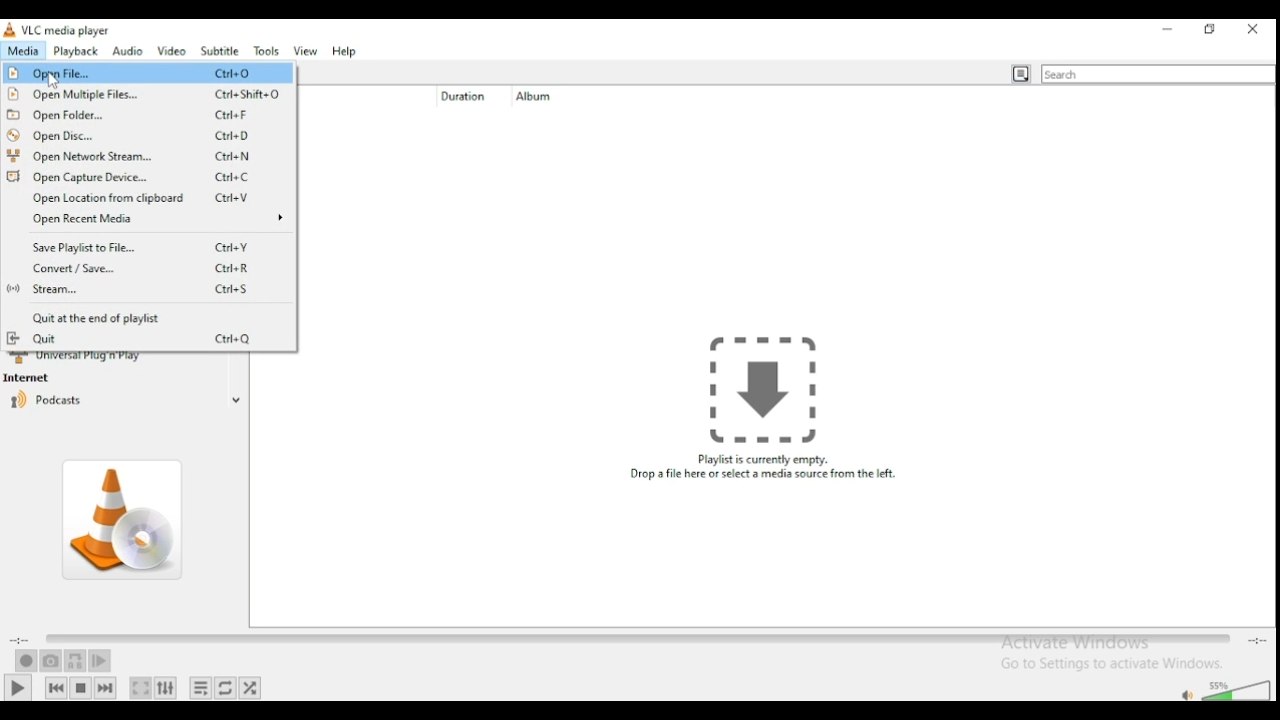  Describe the element at coordinates (346, 51) in the screenshot. I see `help` at that location.